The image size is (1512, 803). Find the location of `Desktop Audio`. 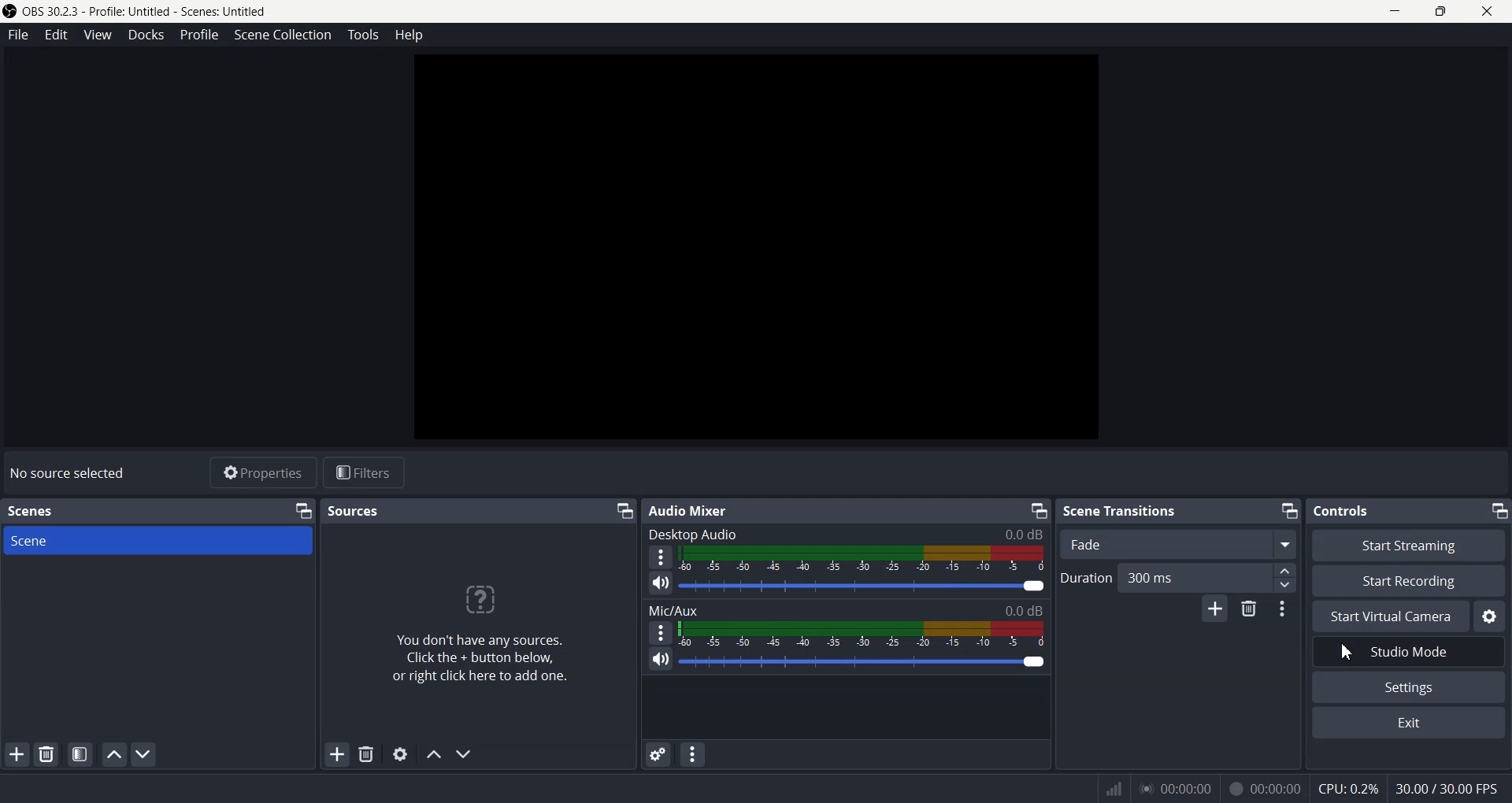

Desktop Audio is located at coordinates (844, 534).